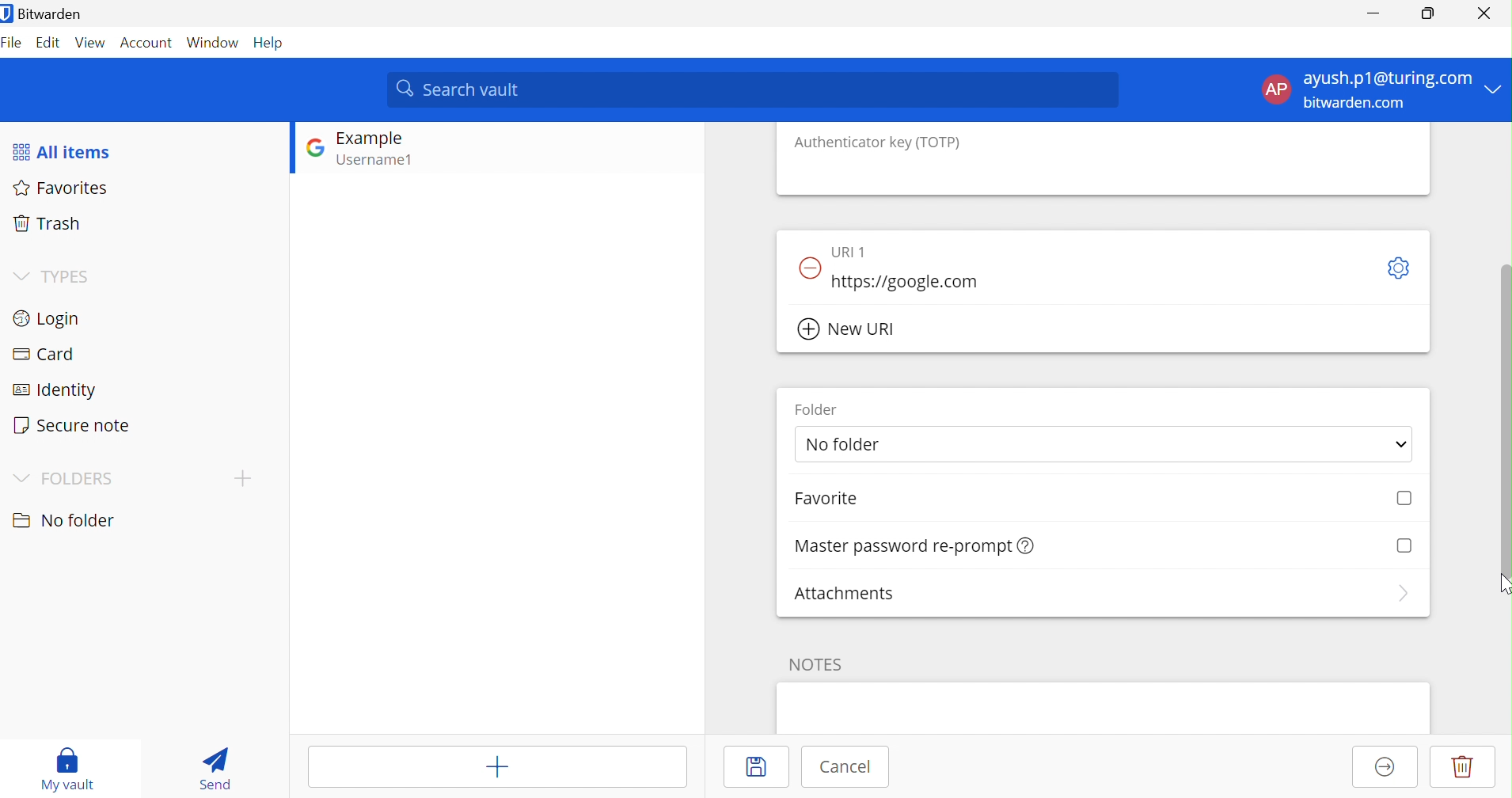 This screenshot has height=798, width=1512. What do you see at coordinates (1400, 268) in the screenshot?
I see `Toggle Options` at bounding box center [1400, 268].